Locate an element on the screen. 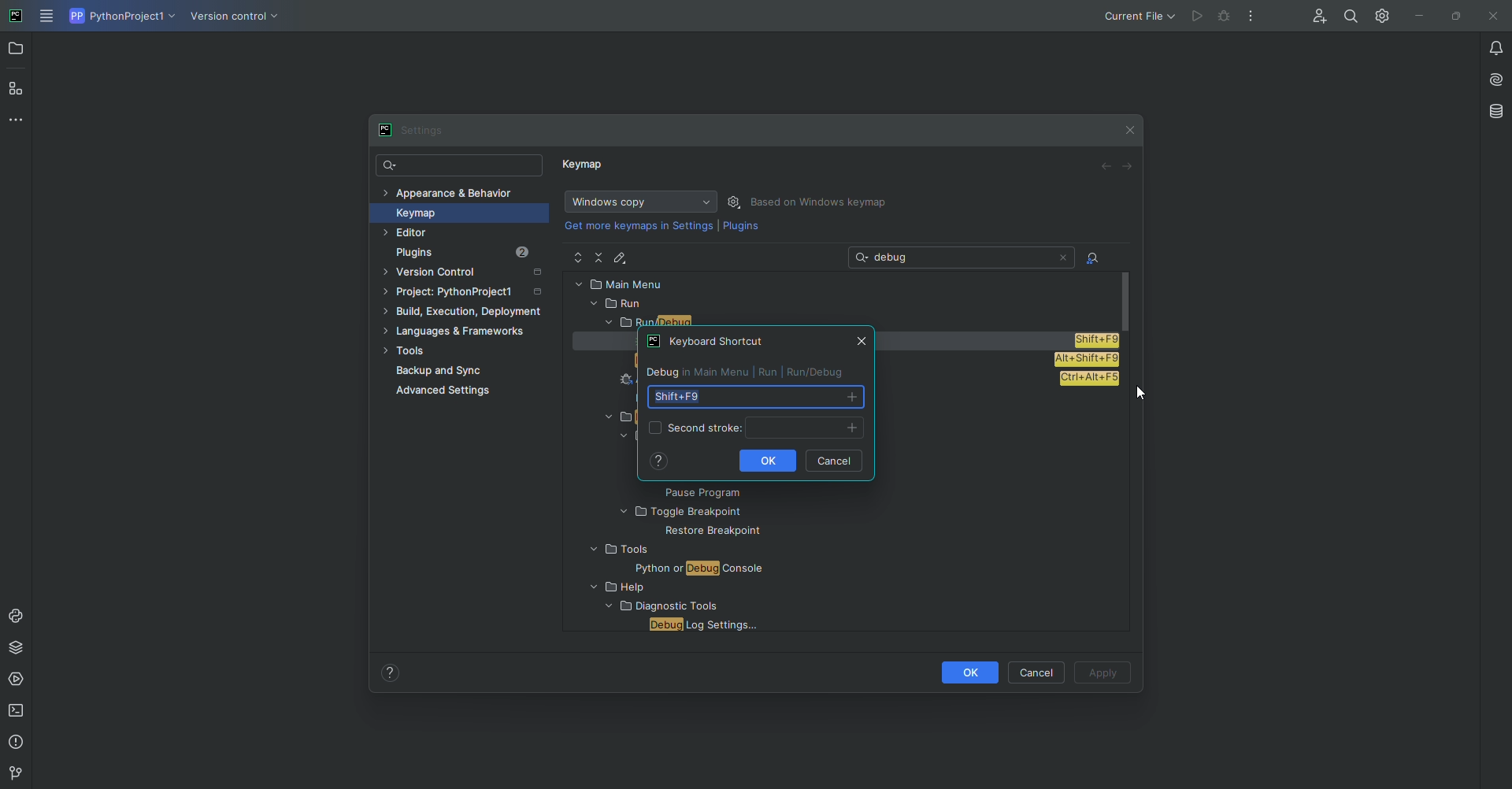  SHORTCUT INFORMATION is located at coordinates (752, 371).